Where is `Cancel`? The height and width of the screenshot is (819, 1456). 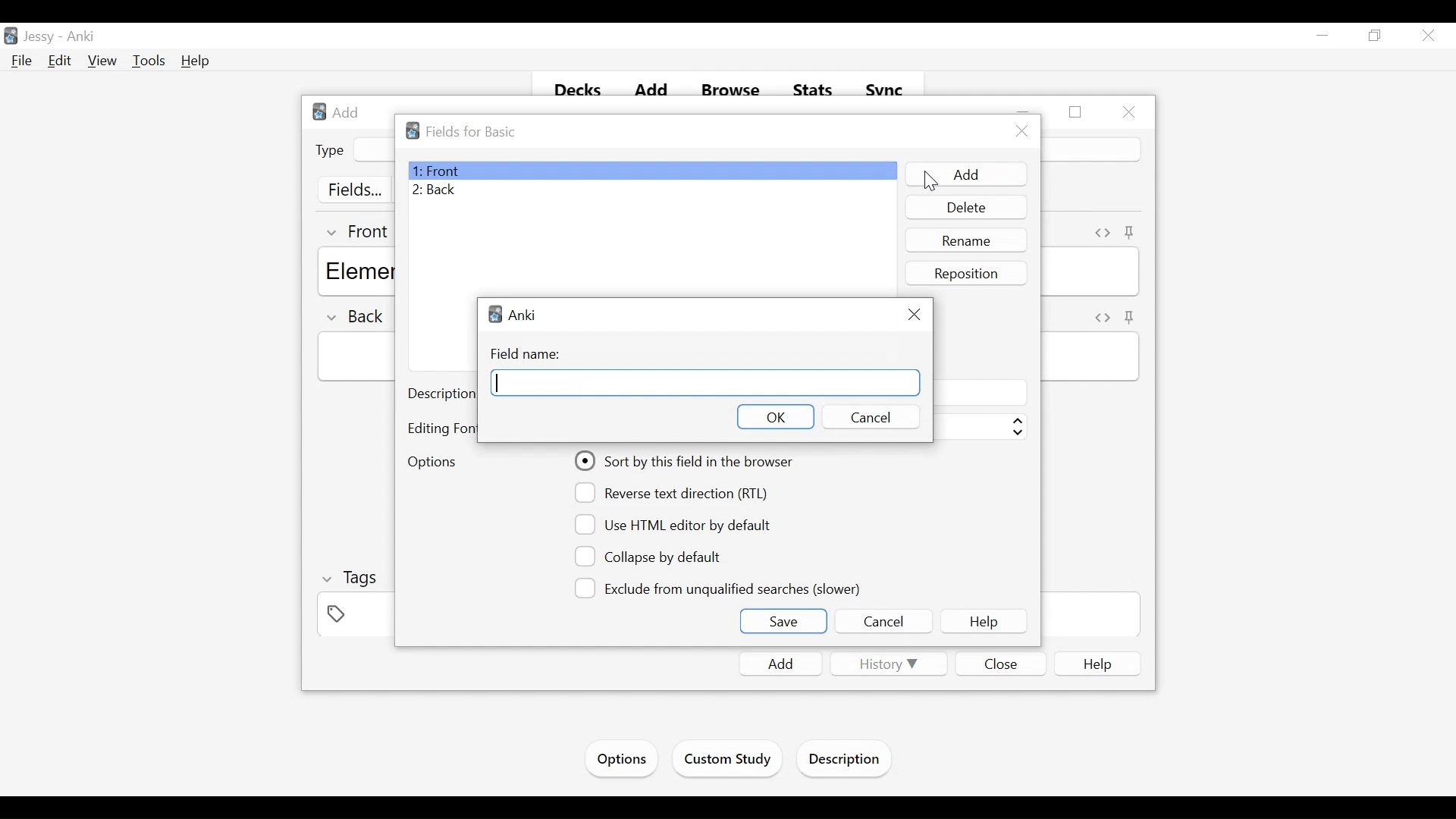
Cancel is located at coordinates (865, 416).